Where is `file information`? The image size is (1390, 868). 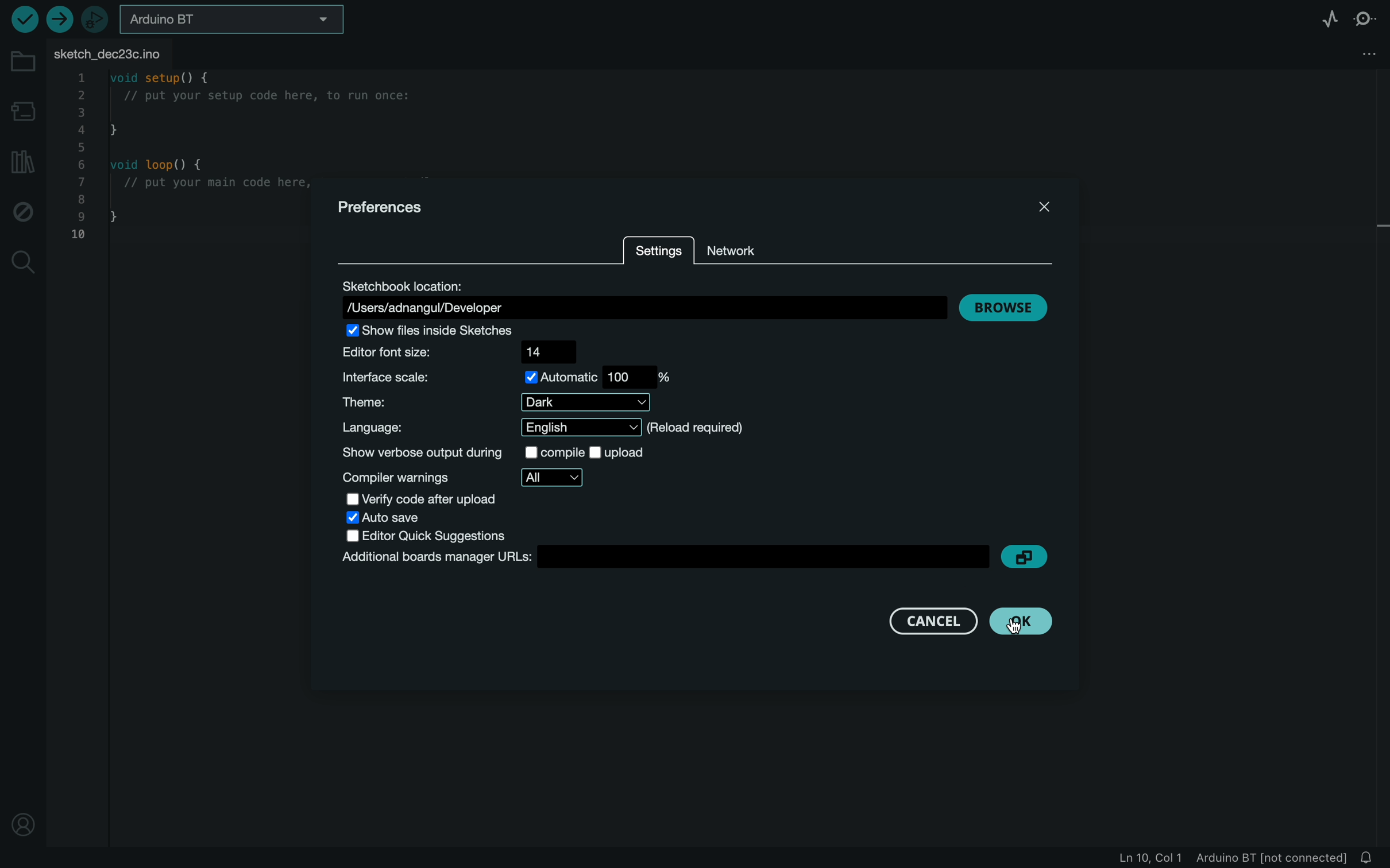 file information is located at coordinates (1220, 858).